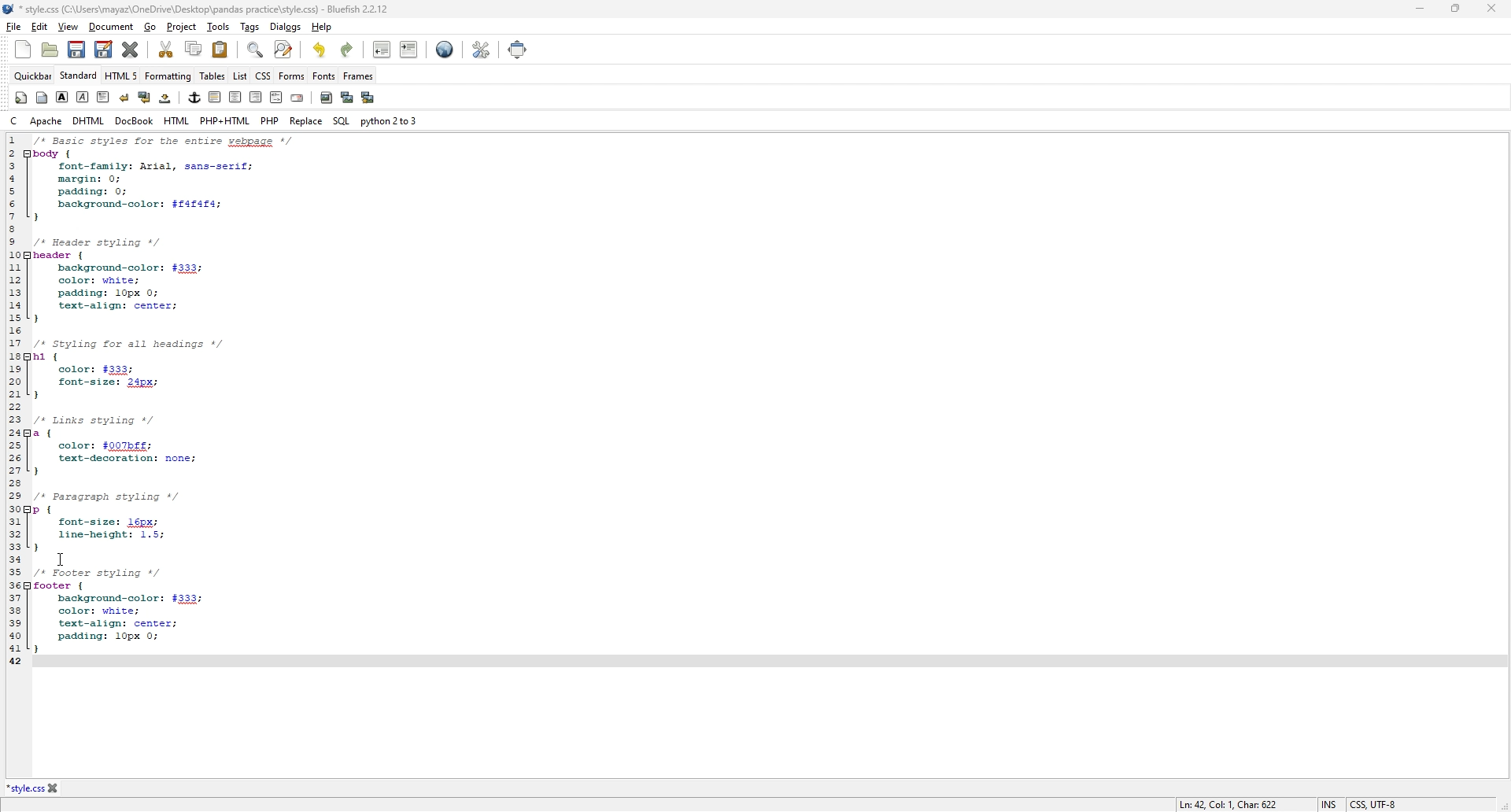  What do you see at coordinates (240, 76) in the screenshot?
I see `list` at bounding box center [240, 76].